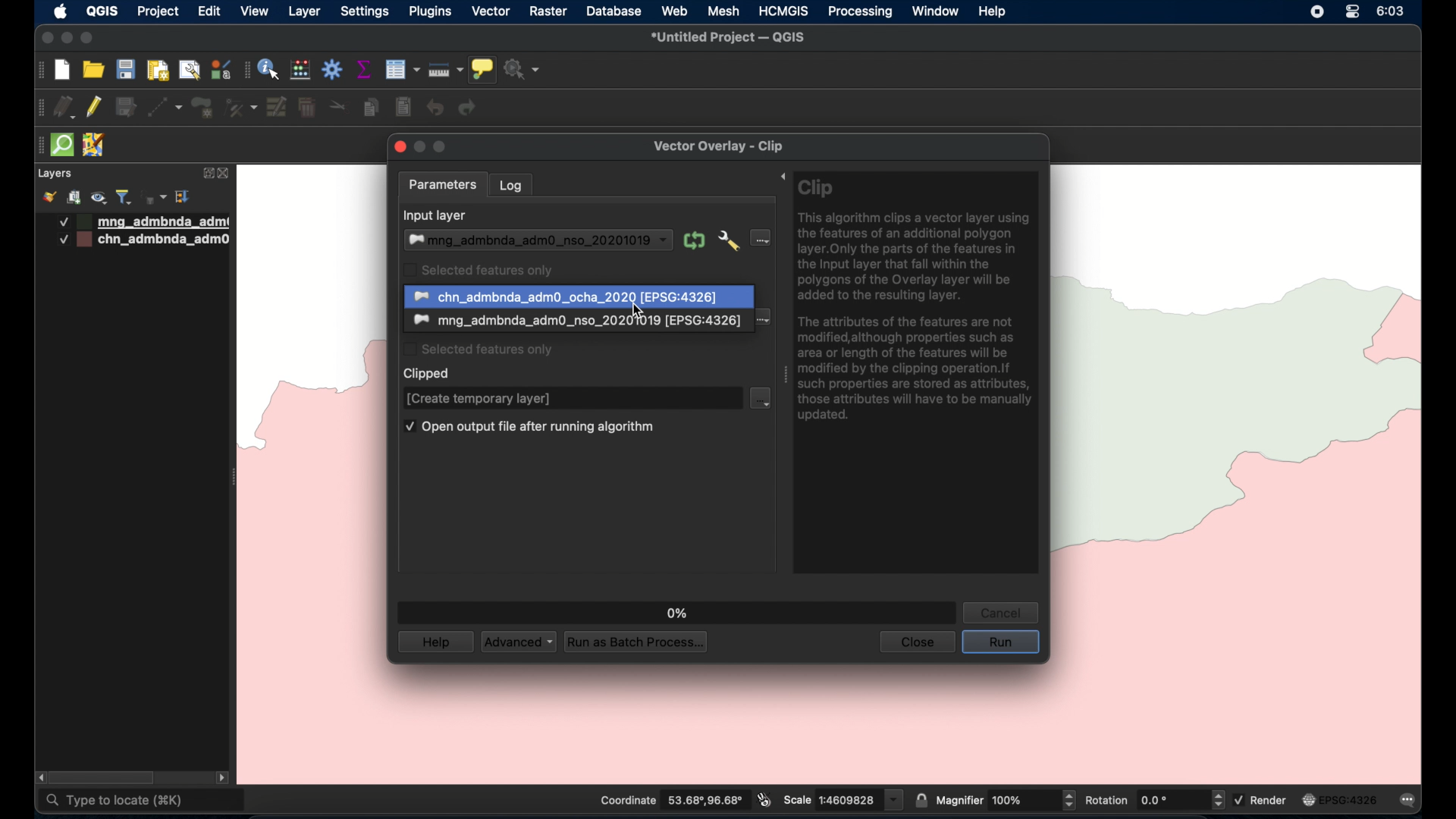  I want to click on vector overlay - clip, so click(717, 146).